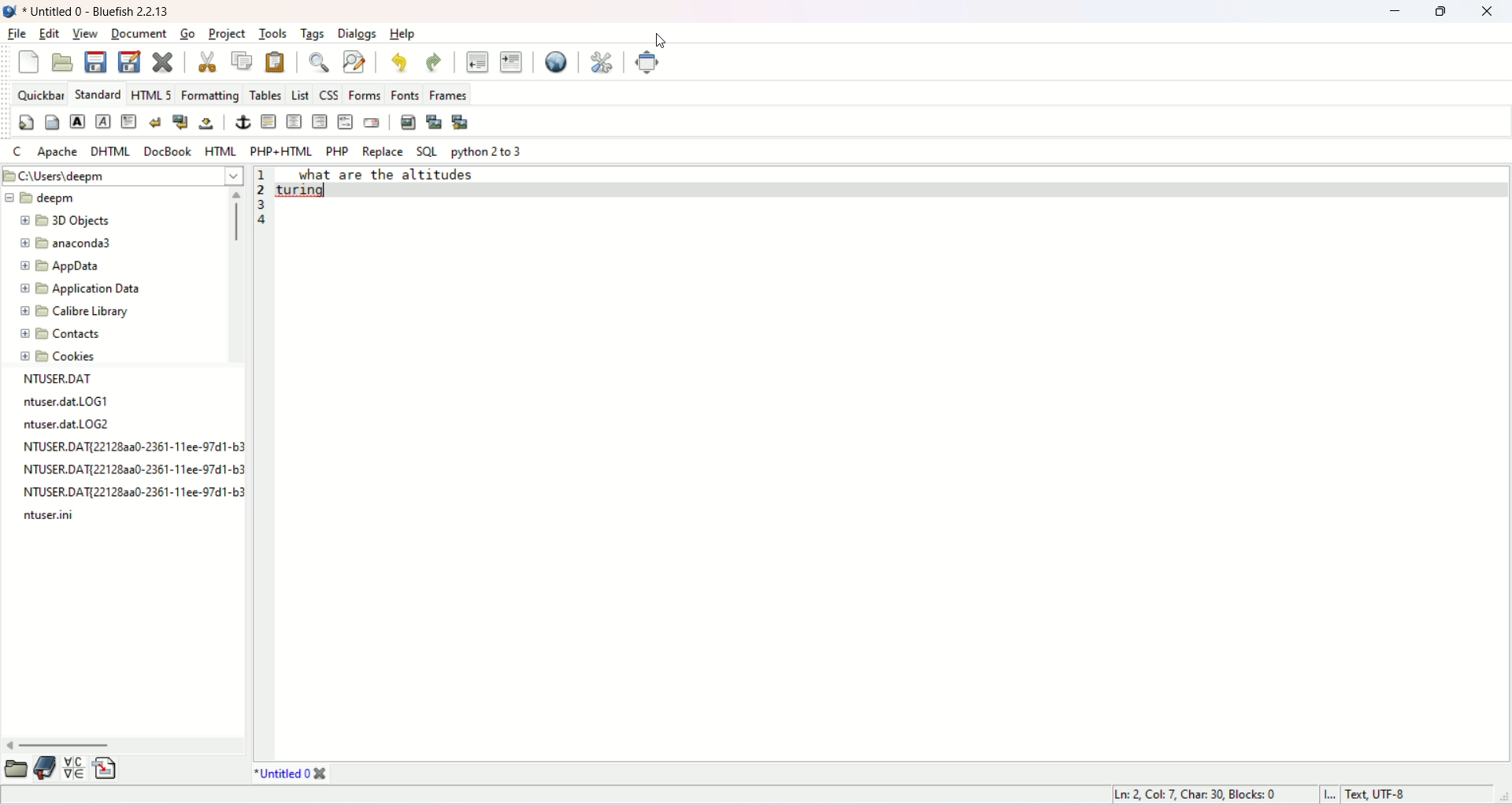 The image size is (1512, 805). What do you see at coordinates (125, 744) in the screenshot?
I see `horizontal scroll bar` at bounding box center [125, 744].